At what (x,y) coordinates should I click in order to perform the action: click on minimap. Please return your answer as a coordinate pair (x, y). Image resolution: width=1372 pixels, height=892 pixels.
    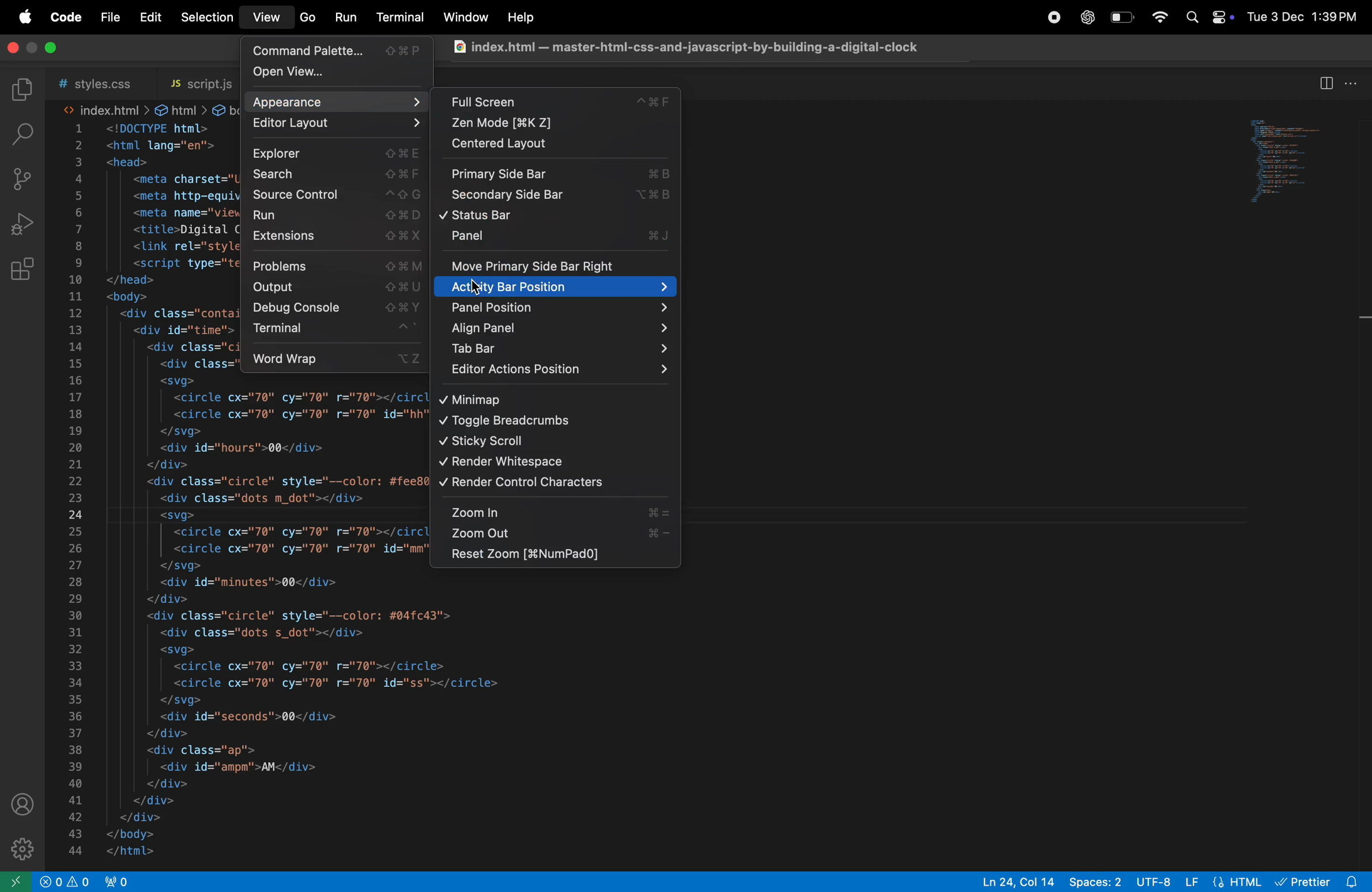
    Looking at the image, I should click on (539, 399).